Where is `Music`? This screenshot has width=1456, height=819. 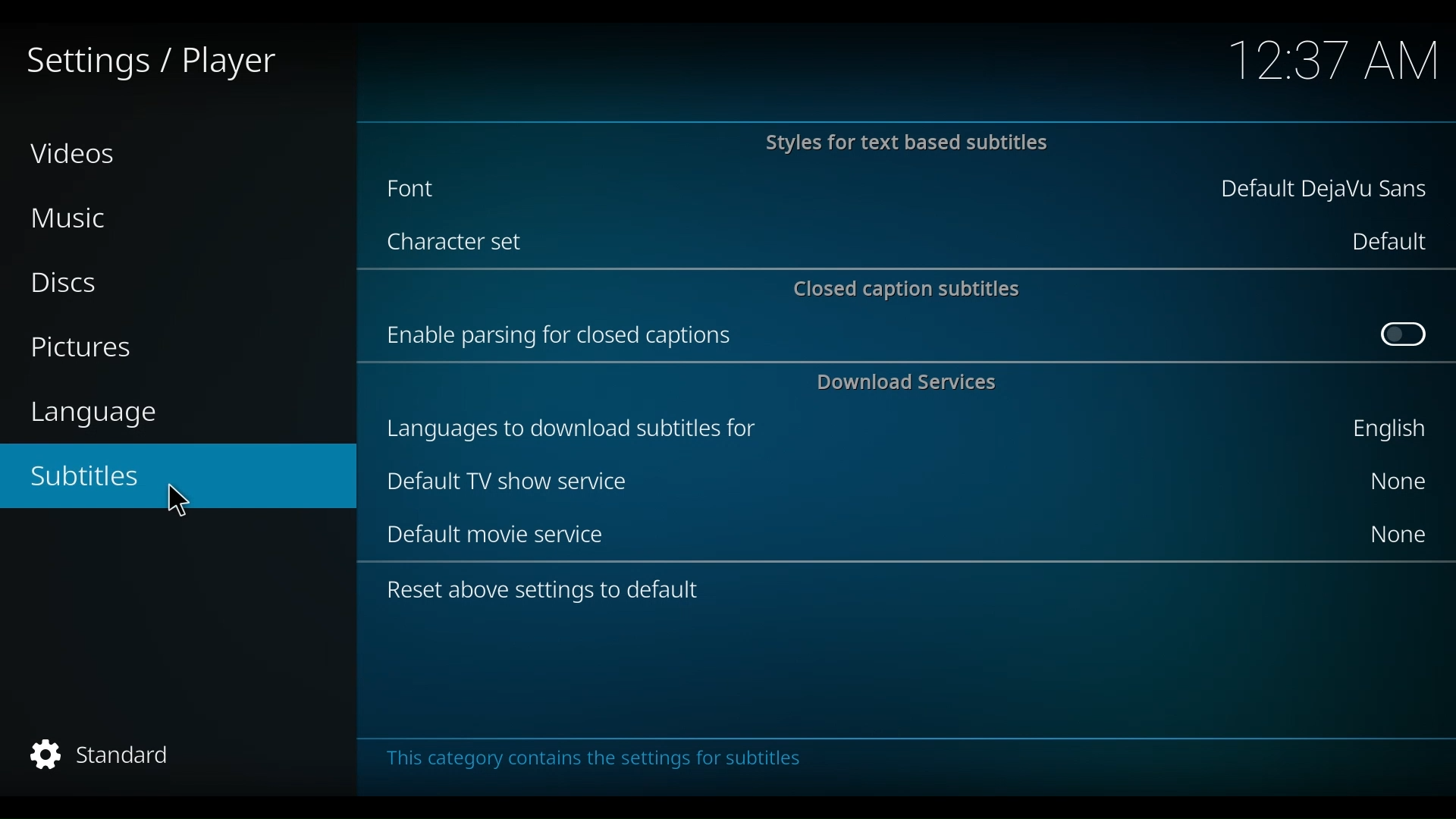 Music is located at coordinates (76, 219).